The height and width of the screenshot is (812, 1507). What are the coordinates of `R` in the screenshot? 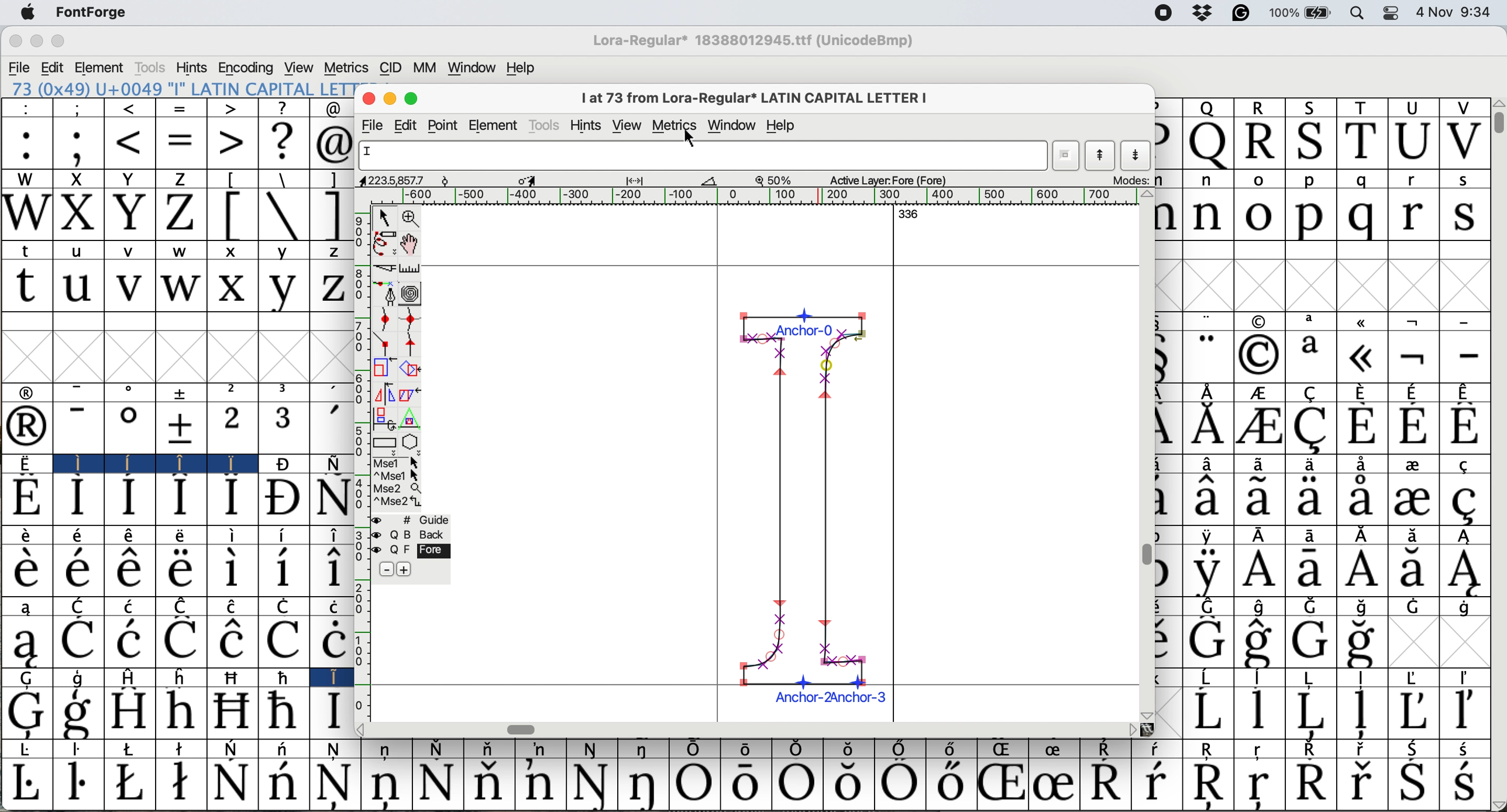 It's located at (1261, 143).